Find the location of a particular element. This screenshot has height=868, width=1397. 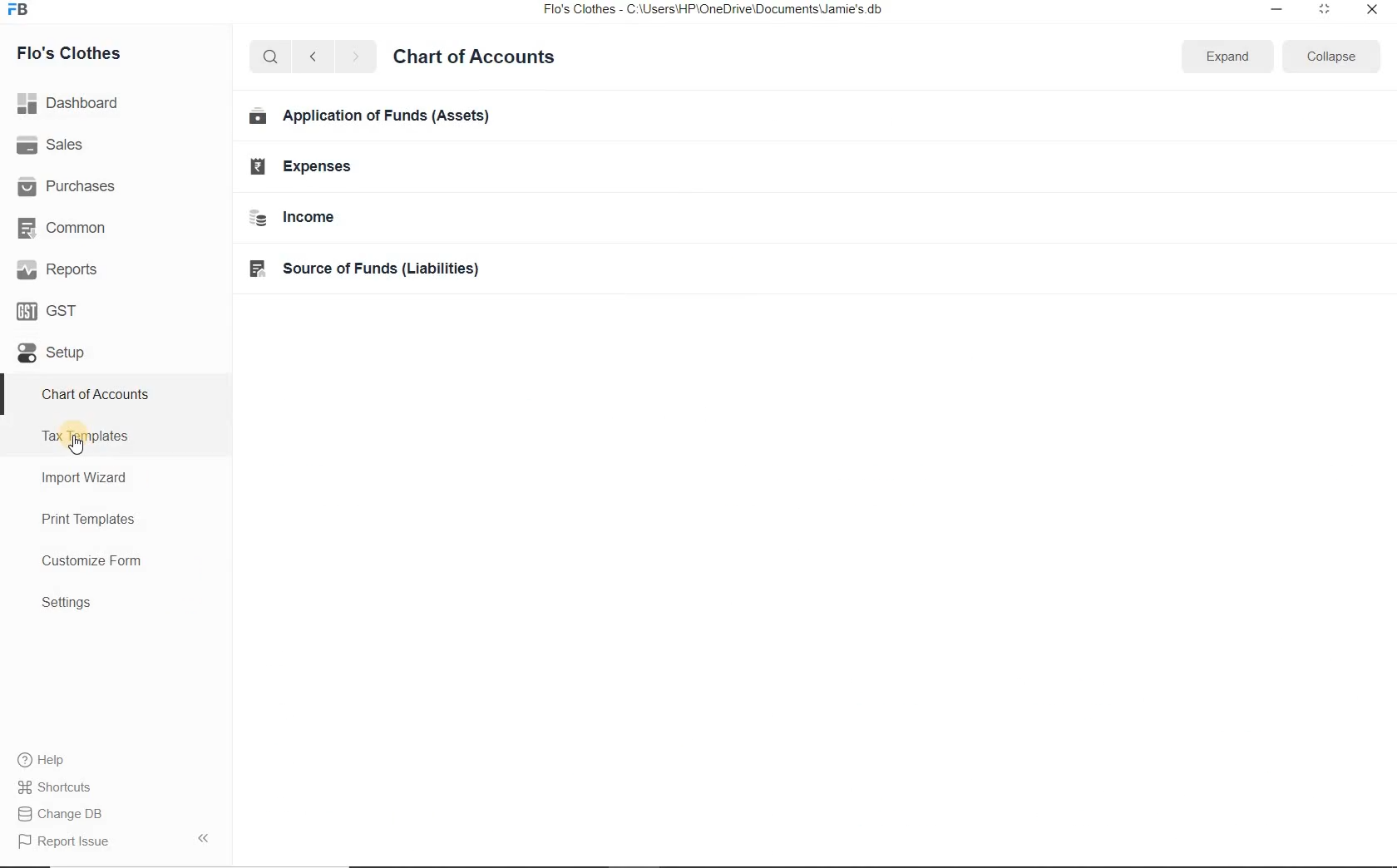

Shortcuts is located at coordinates (116, 787).